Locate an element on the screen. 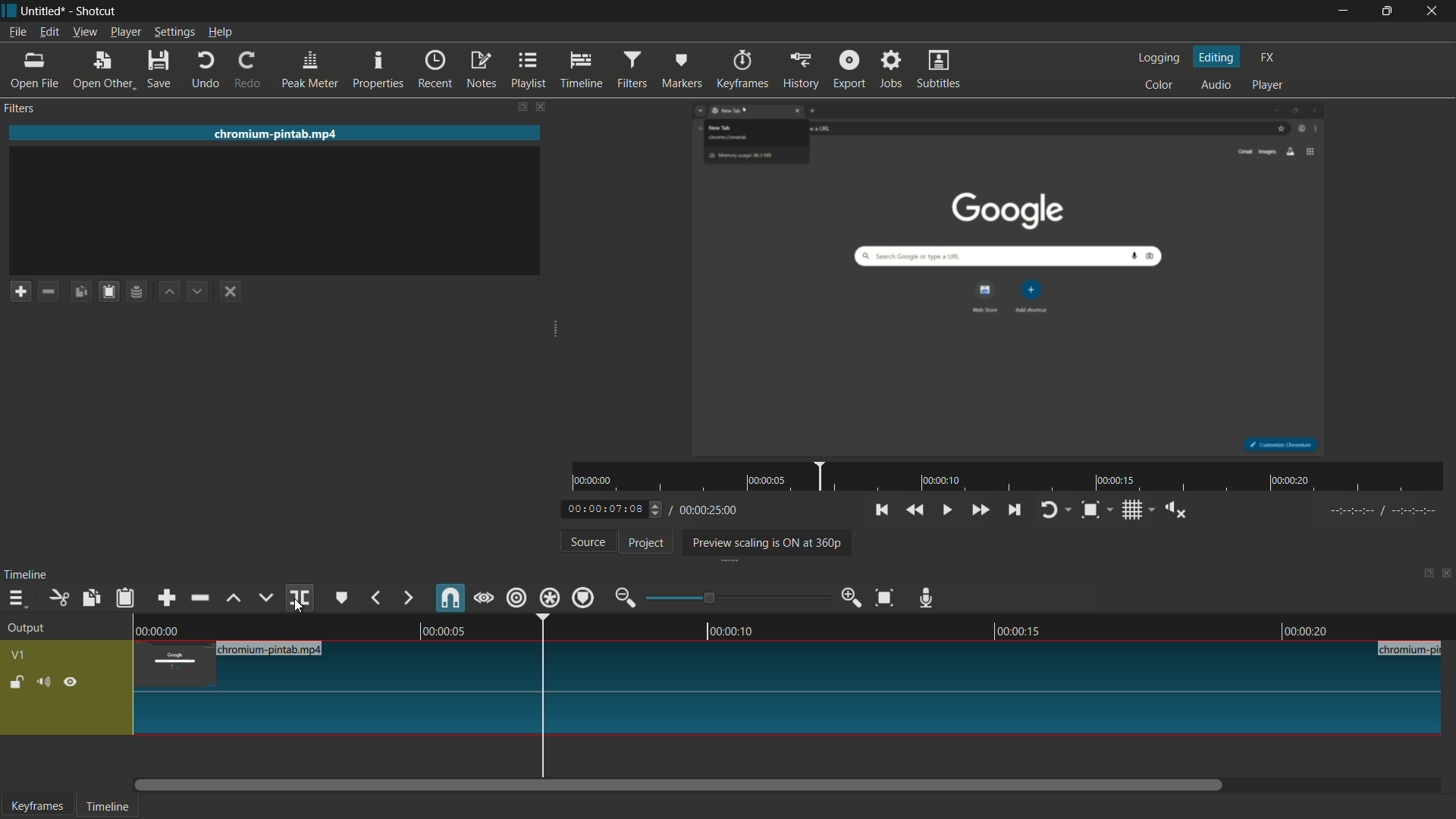 This screenshot has width=1456, height=819. playlist is located at coordinates (529, 69).